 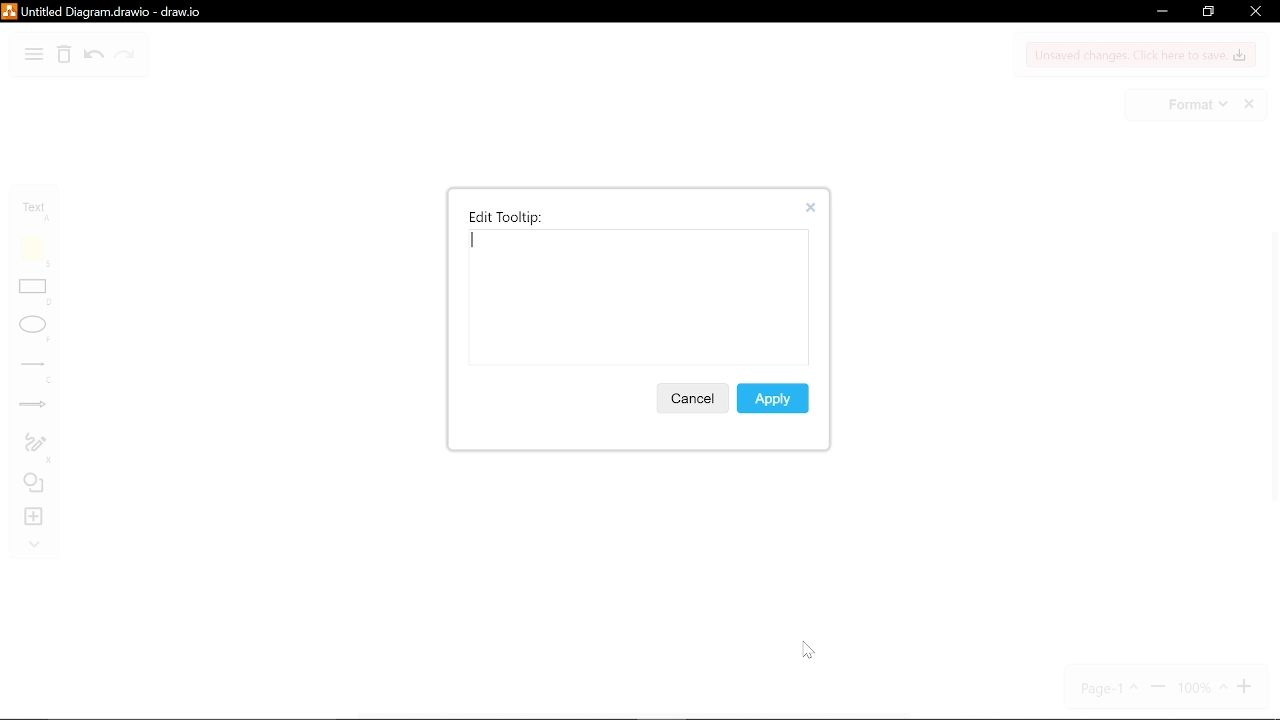 What do you see at coordinates (36, 372) in the screenshot?
I see `lines` at bounding box center [36, 372].